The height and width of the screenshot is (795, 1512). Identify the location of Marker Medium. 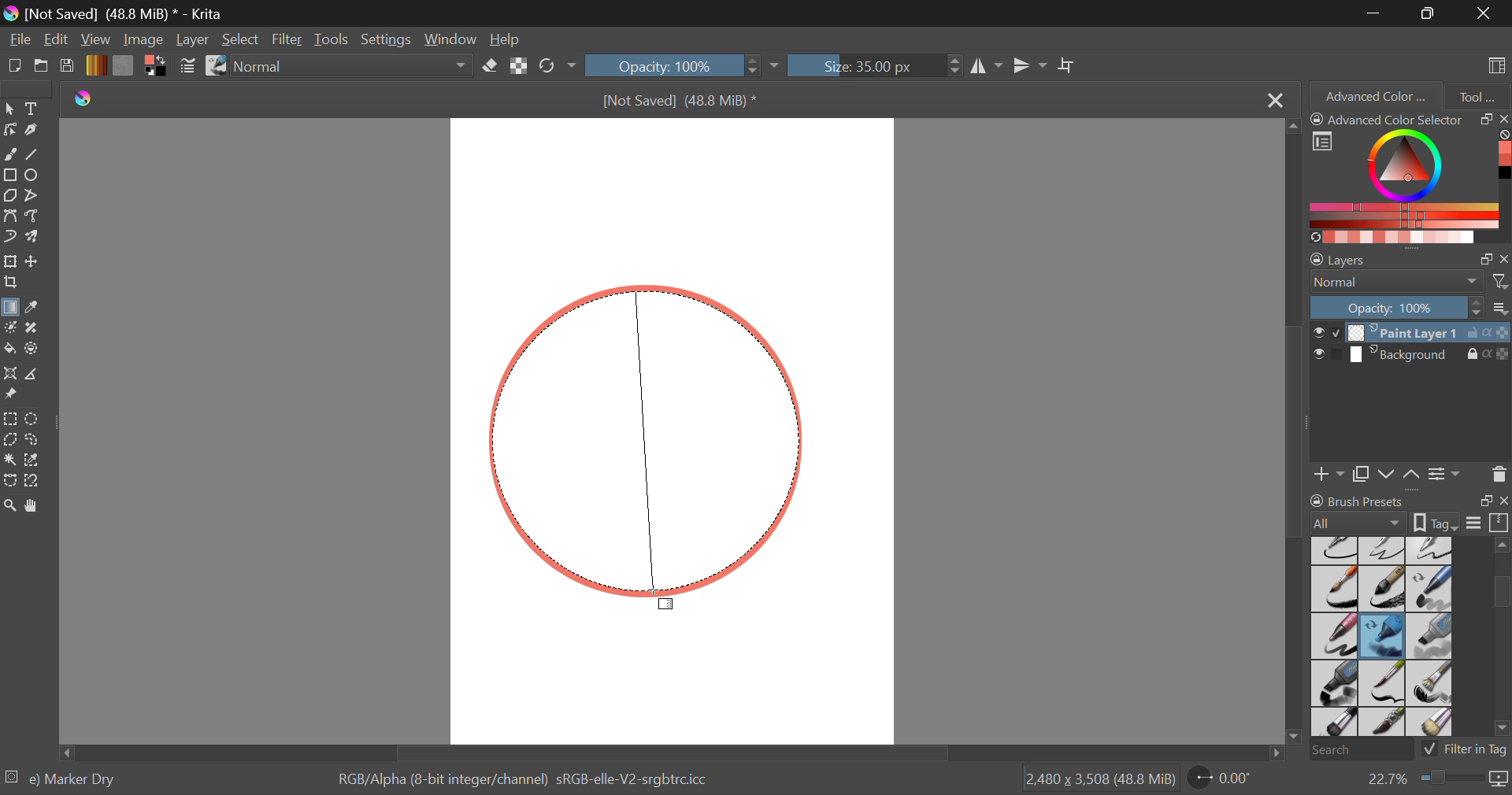
(1431, 636).